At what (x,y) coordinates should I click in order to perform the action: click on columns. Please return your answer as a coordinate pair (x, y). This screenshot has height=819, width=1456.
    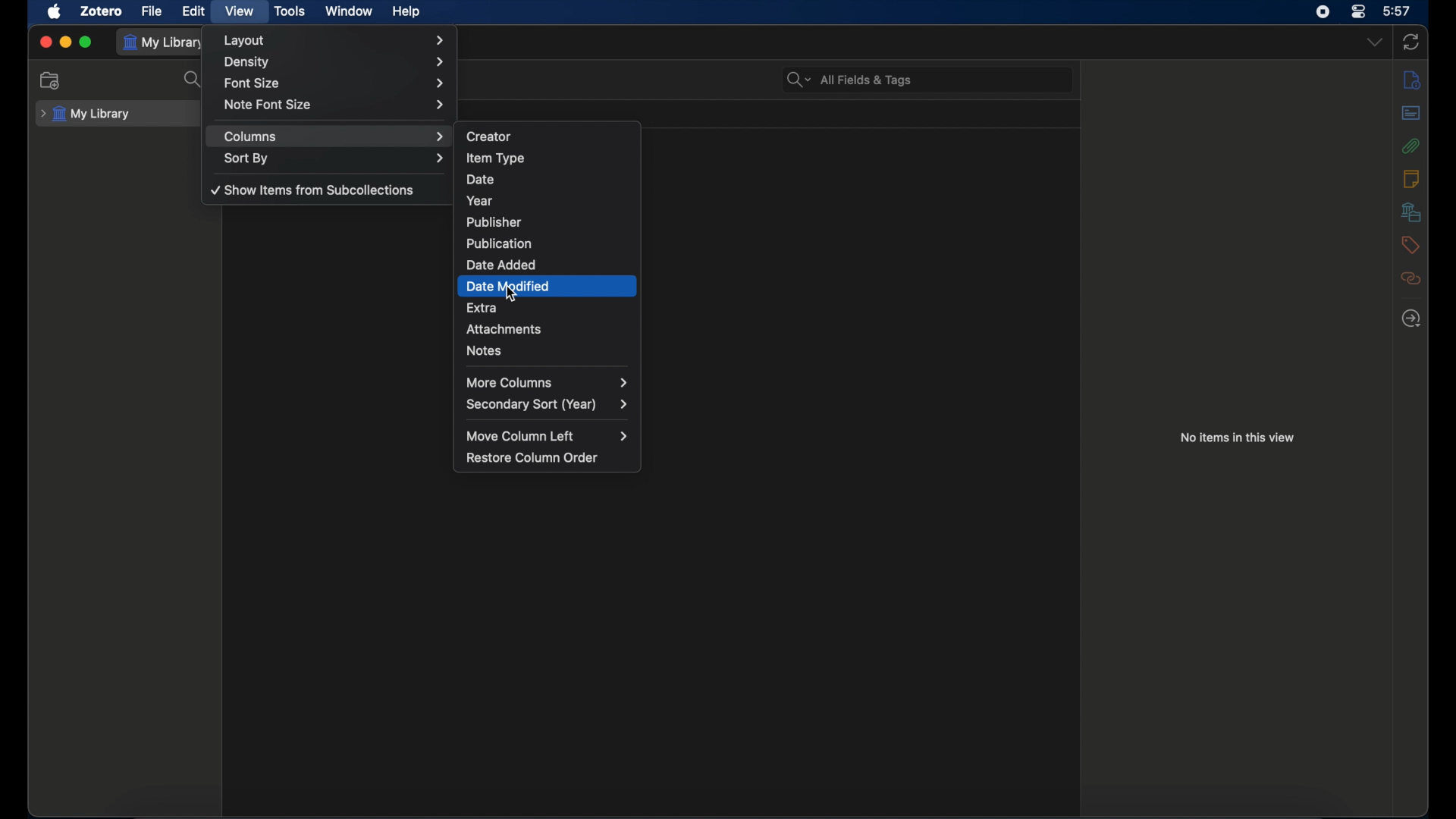
    Looking at the image, I should click on (335, 137).